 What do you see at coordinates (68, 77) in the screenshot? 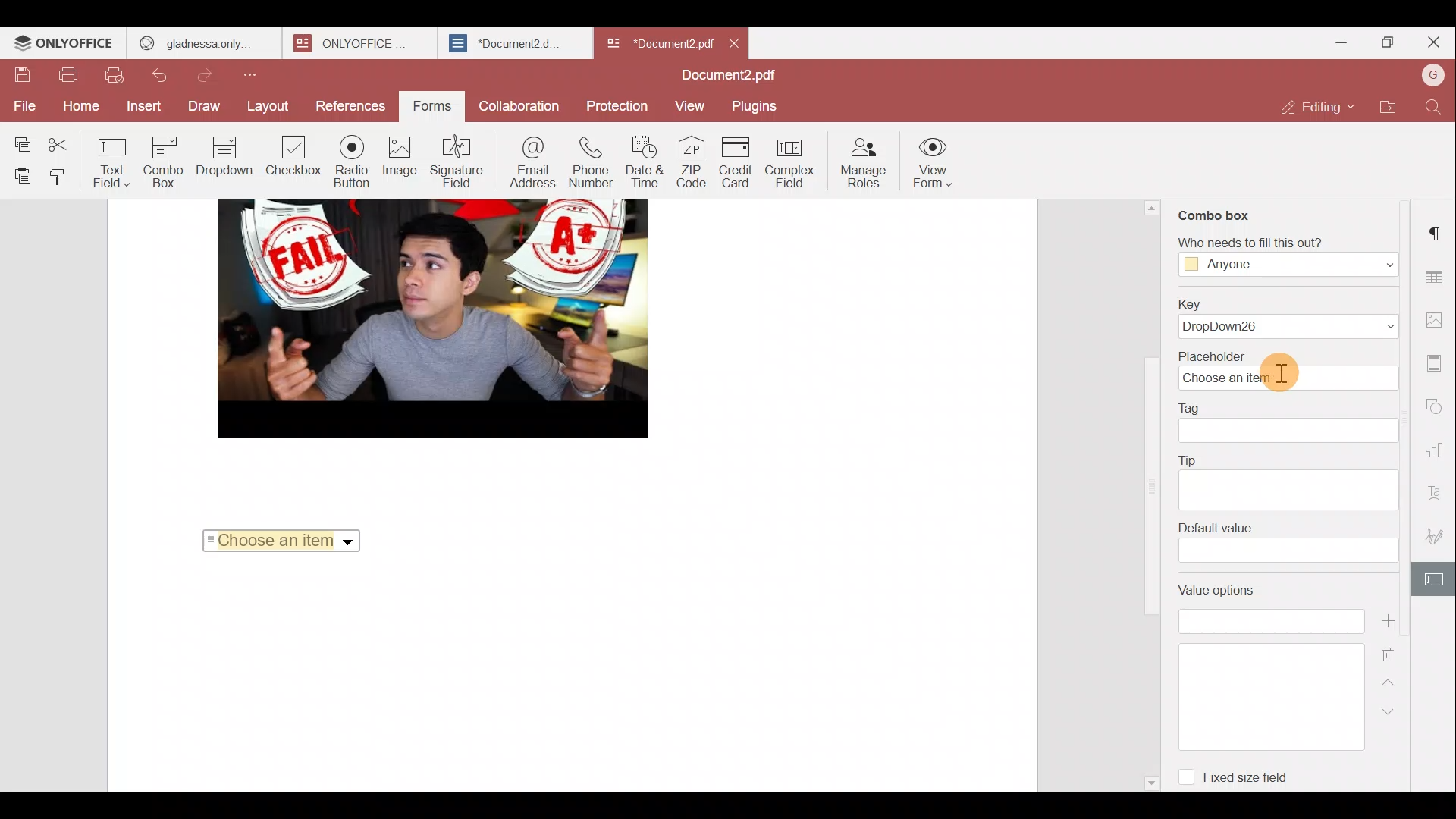
I see `Print file` at bounding box center [68, 77].